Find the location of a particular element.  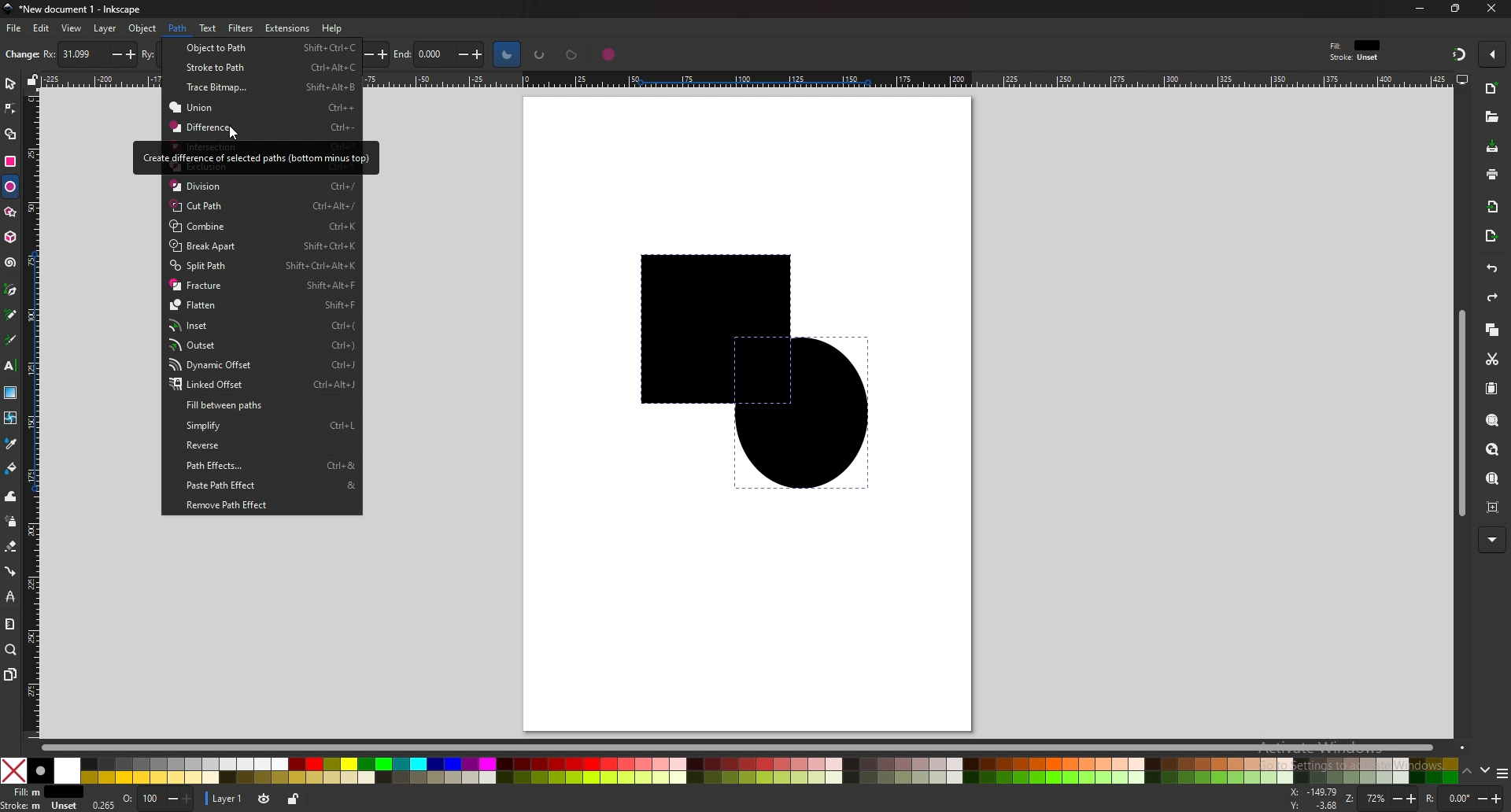

spiral is located at coordinates (11, 262).